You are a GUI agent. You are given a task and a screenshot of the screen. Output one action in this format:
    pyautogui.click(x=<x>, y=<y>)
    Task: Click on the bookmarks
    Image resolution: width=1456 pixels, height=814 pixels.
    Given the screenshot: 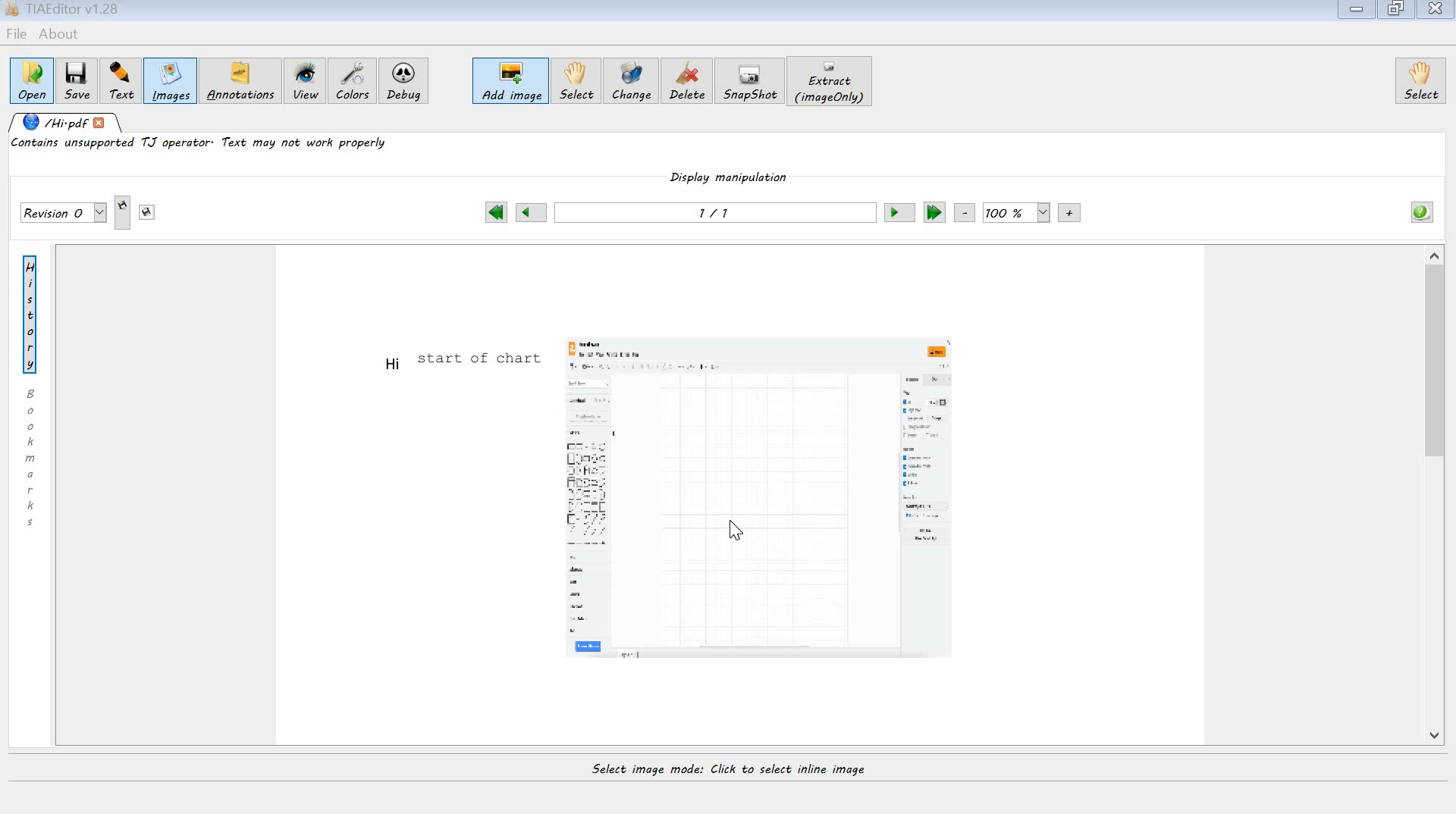 What is the action you would take?
    pyautogui.click(x=33, y=457)
    